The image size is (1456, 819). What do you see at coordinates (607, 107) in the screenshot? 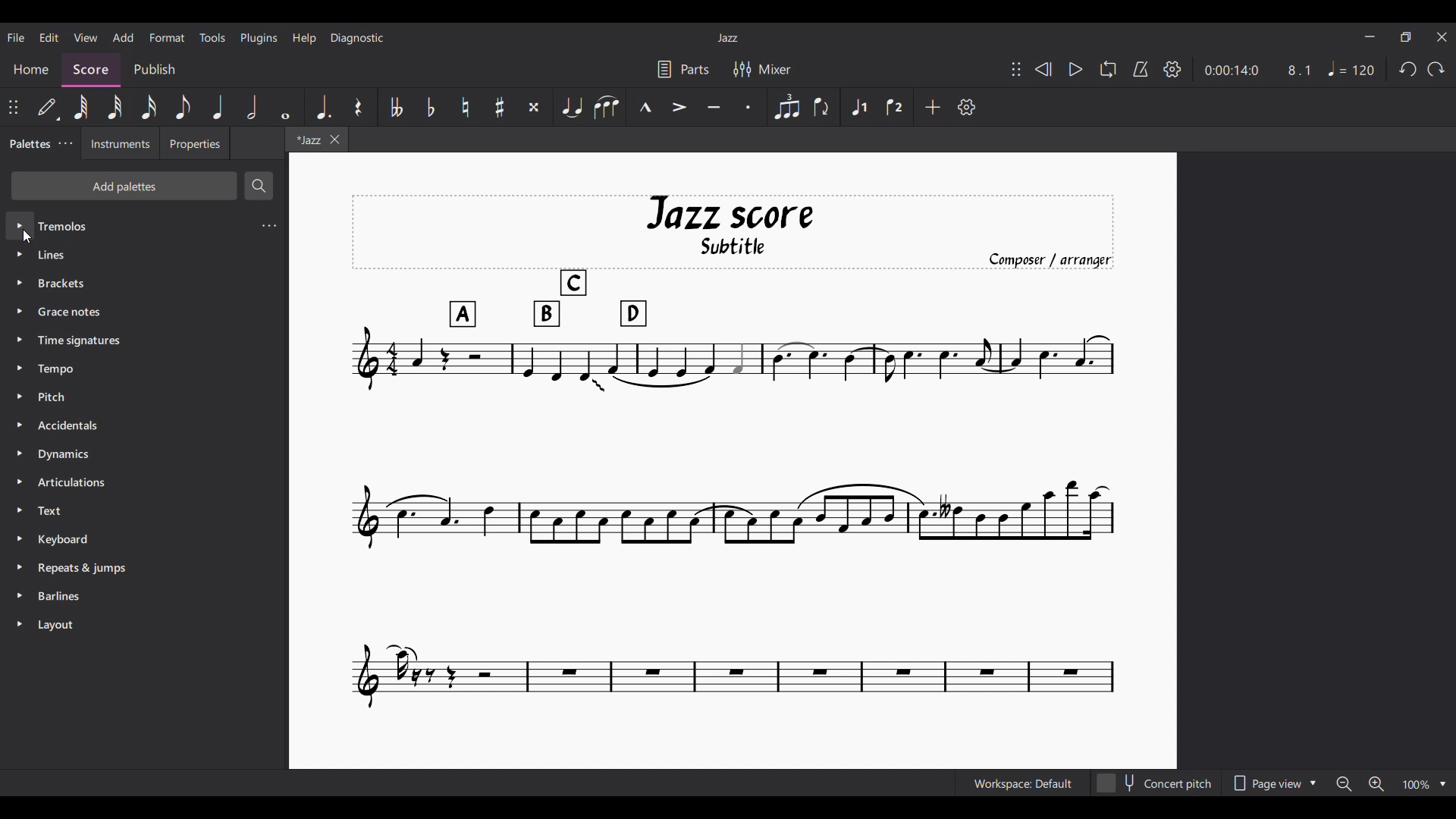
I see `Slur` at bounding box center [607, 107].